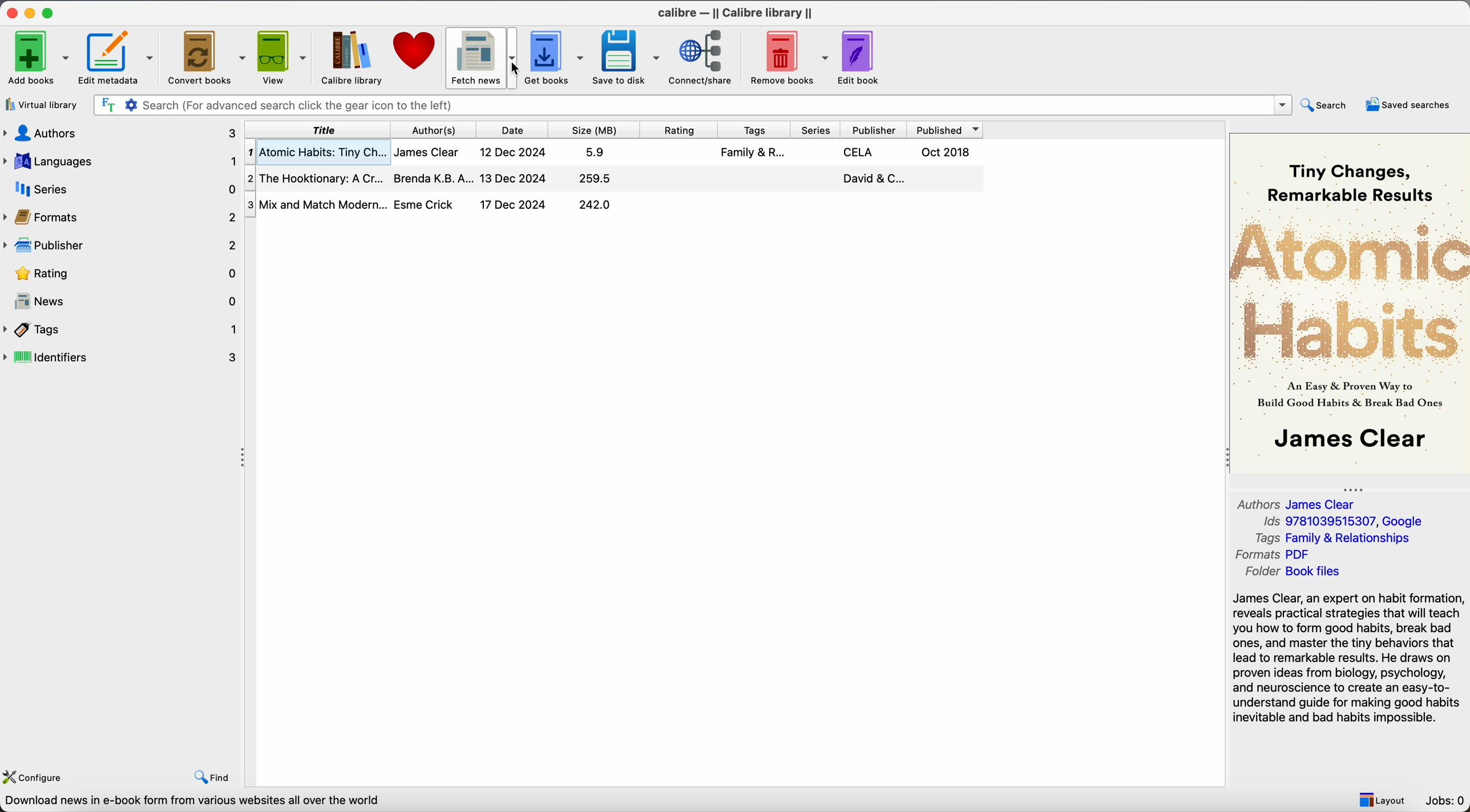 The height and width of the screenshot is (812, 1470). What do you see at coordinates (41, 104) in the screenshot?
I see `virtual library` at bounding box center [41, 104].